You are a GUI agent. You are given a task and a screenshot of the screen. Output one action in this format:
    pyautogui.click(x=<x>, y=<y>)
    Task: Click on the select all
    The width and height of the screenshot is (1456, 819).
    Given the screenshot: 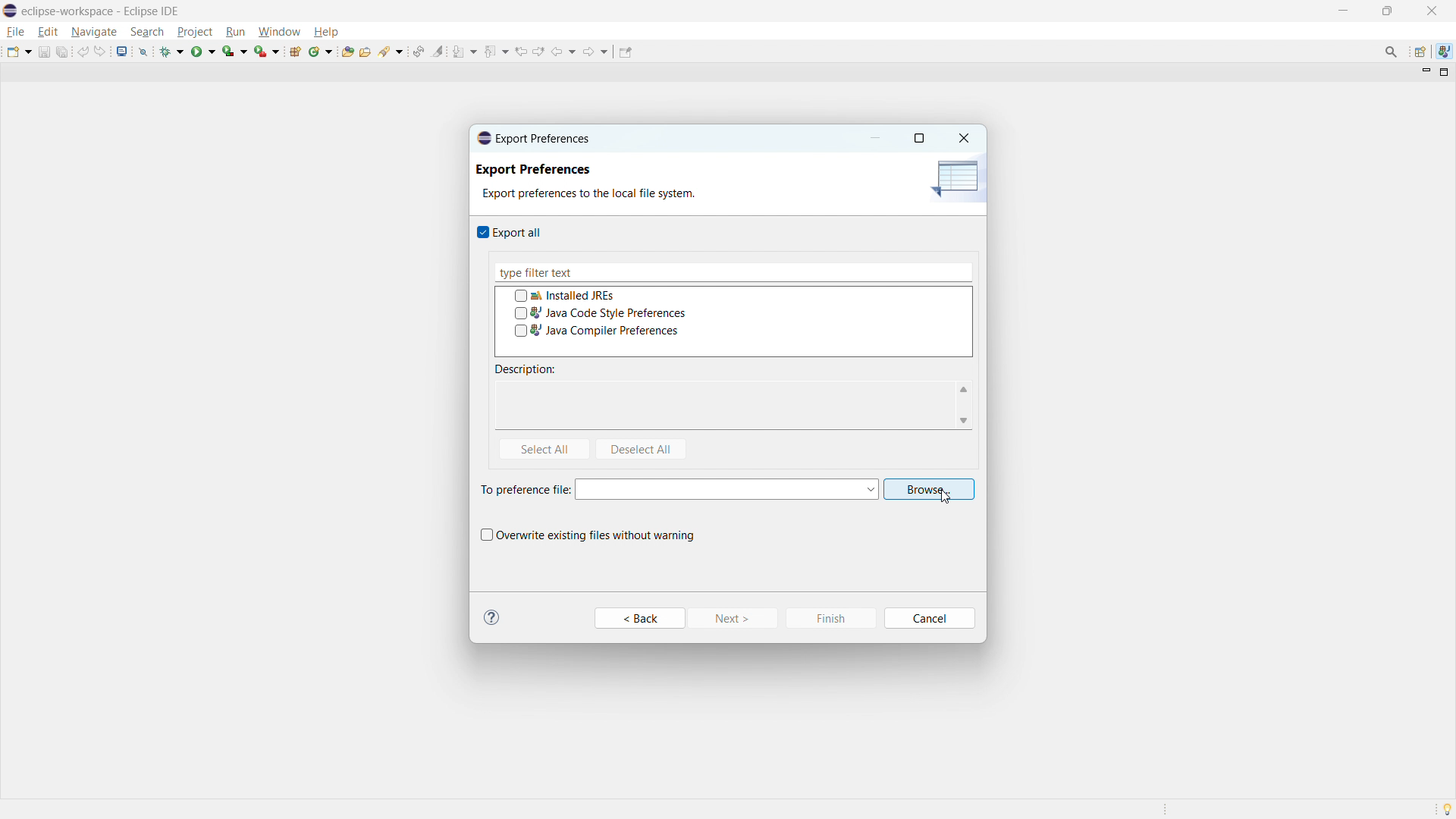 What is the action you would take?
    pyautogui.click(x=544, y=449)
    